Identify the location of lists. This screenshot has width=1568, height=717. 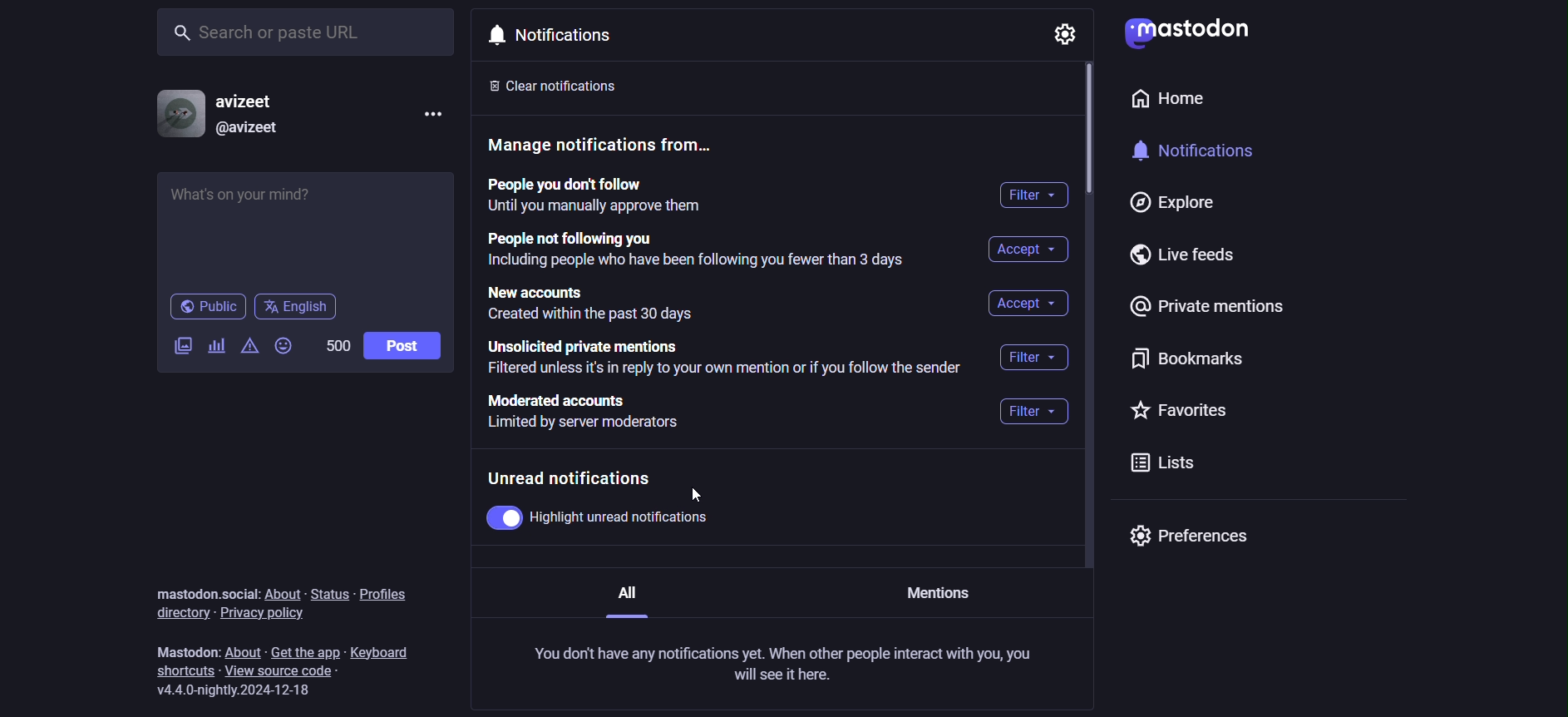
(1159, 462).